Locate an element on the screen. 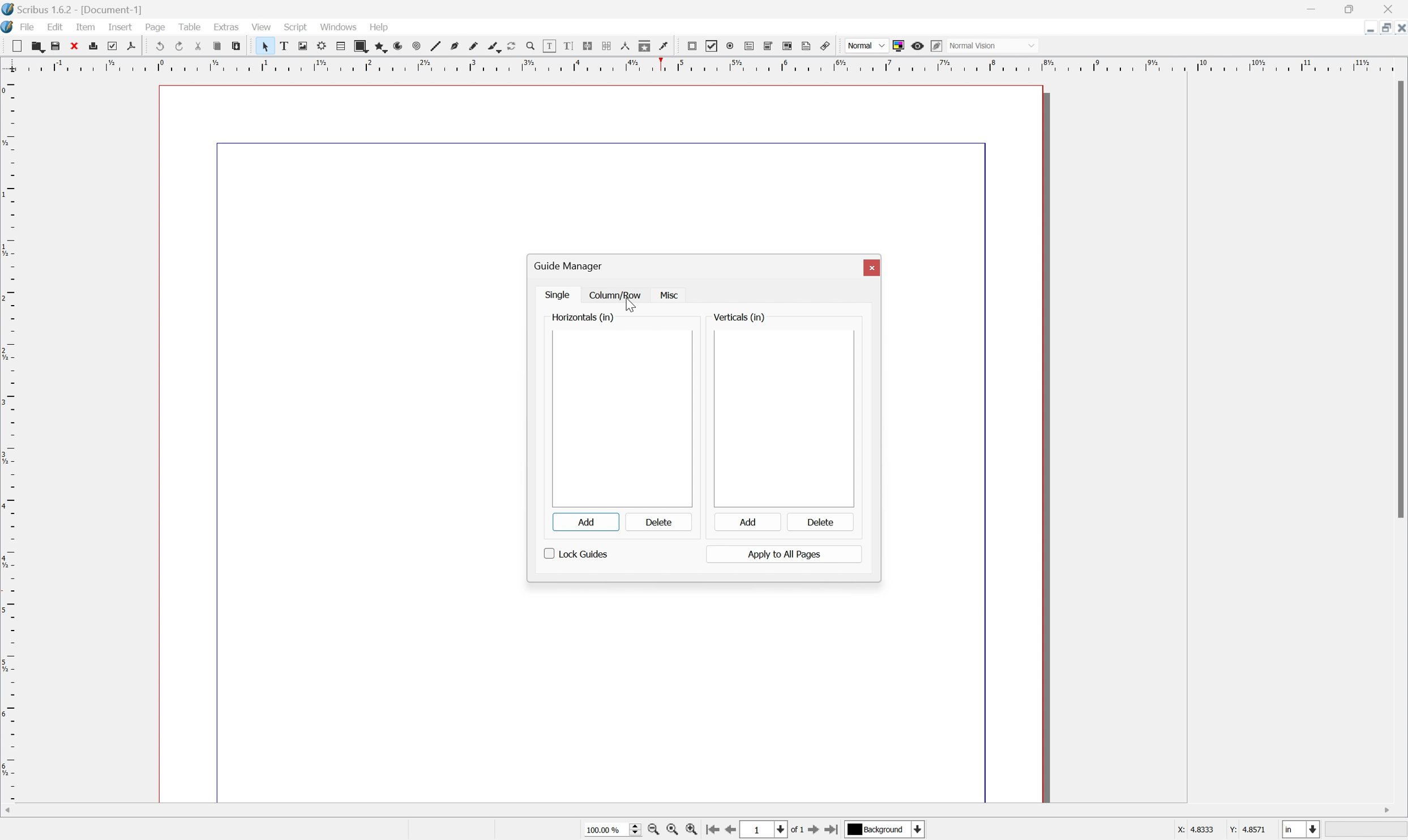 The width and height of the screenshot is (1408, 840). select current layer is located at coordinates (883, 829).